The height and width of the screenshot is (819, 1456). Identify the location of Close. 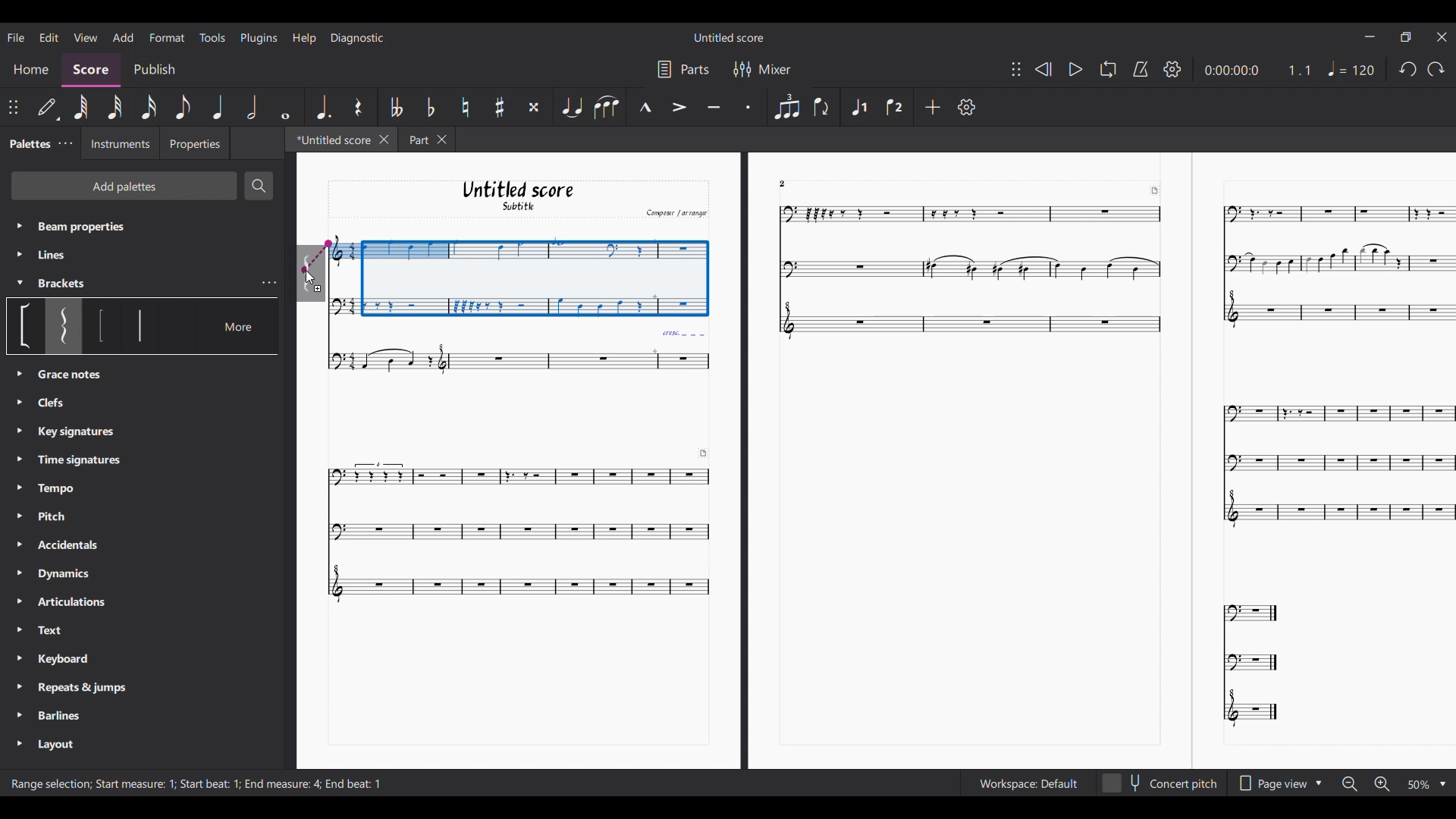
(384, 140).